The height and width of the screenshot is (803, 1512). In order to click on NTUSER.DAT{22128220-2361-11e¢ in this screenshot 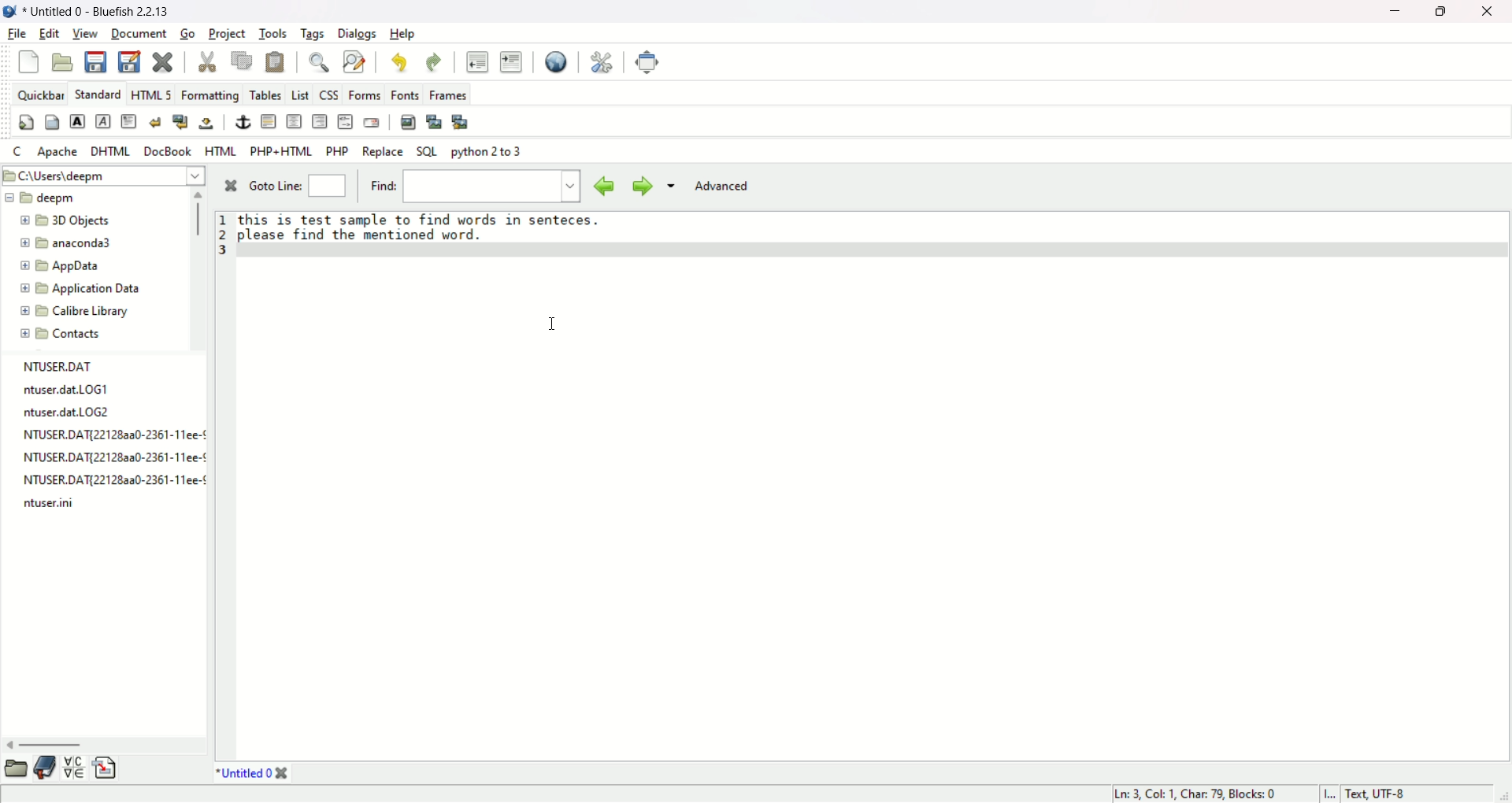, I will do `click(101, 480)`.